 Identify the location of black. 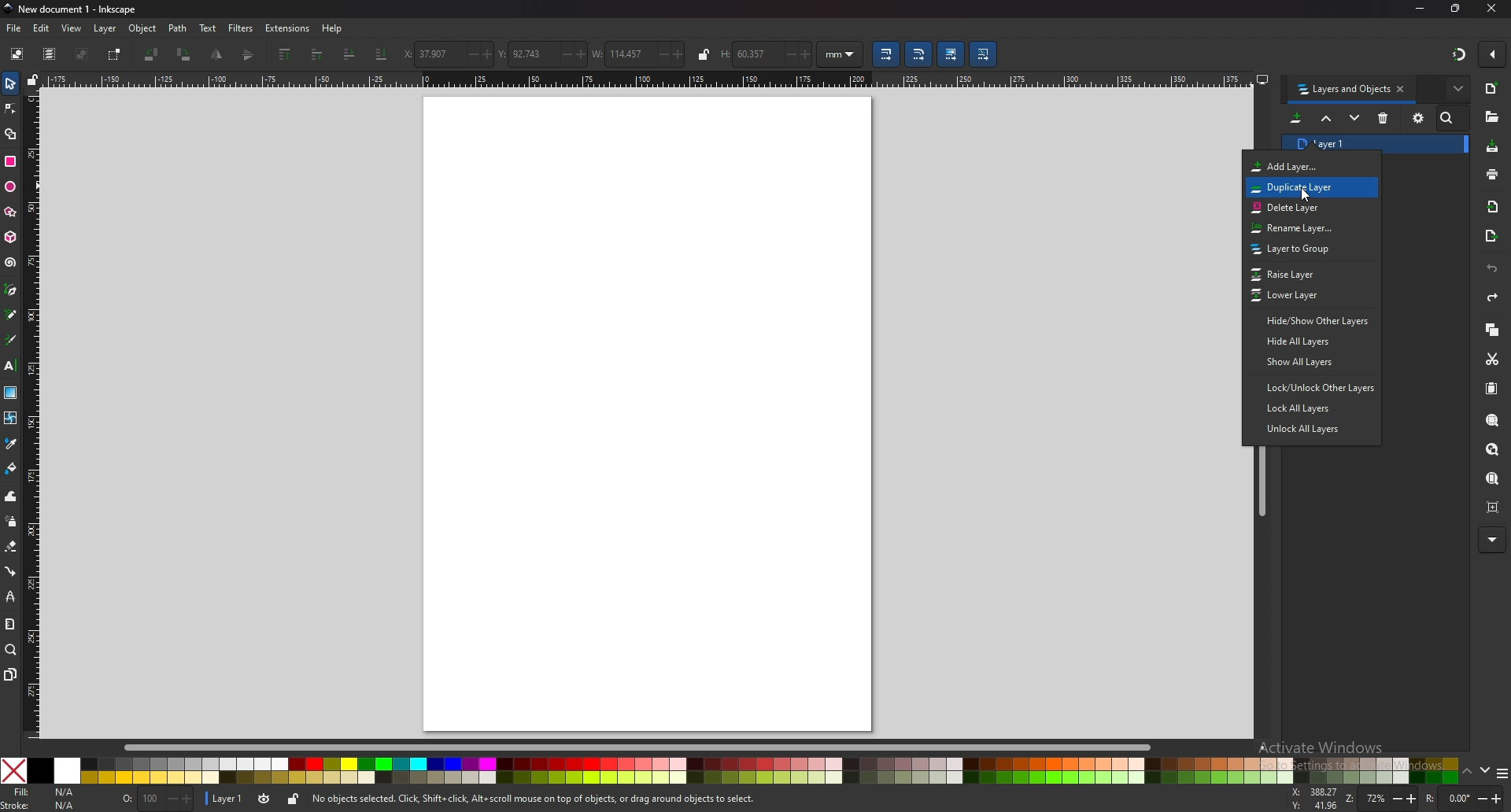
(40, 770).